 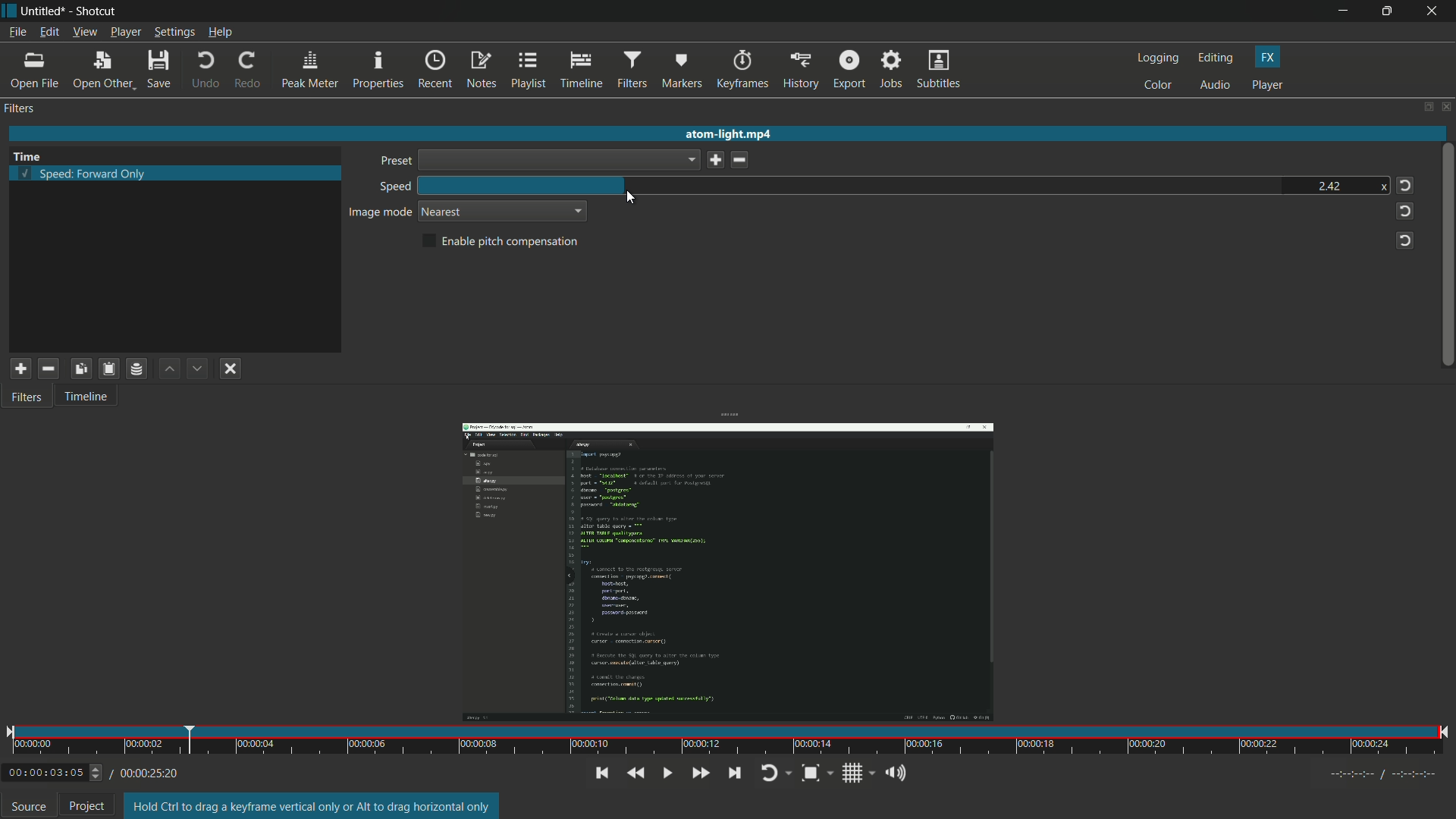 I want to click on dropdown, so click(x=576, y=211).